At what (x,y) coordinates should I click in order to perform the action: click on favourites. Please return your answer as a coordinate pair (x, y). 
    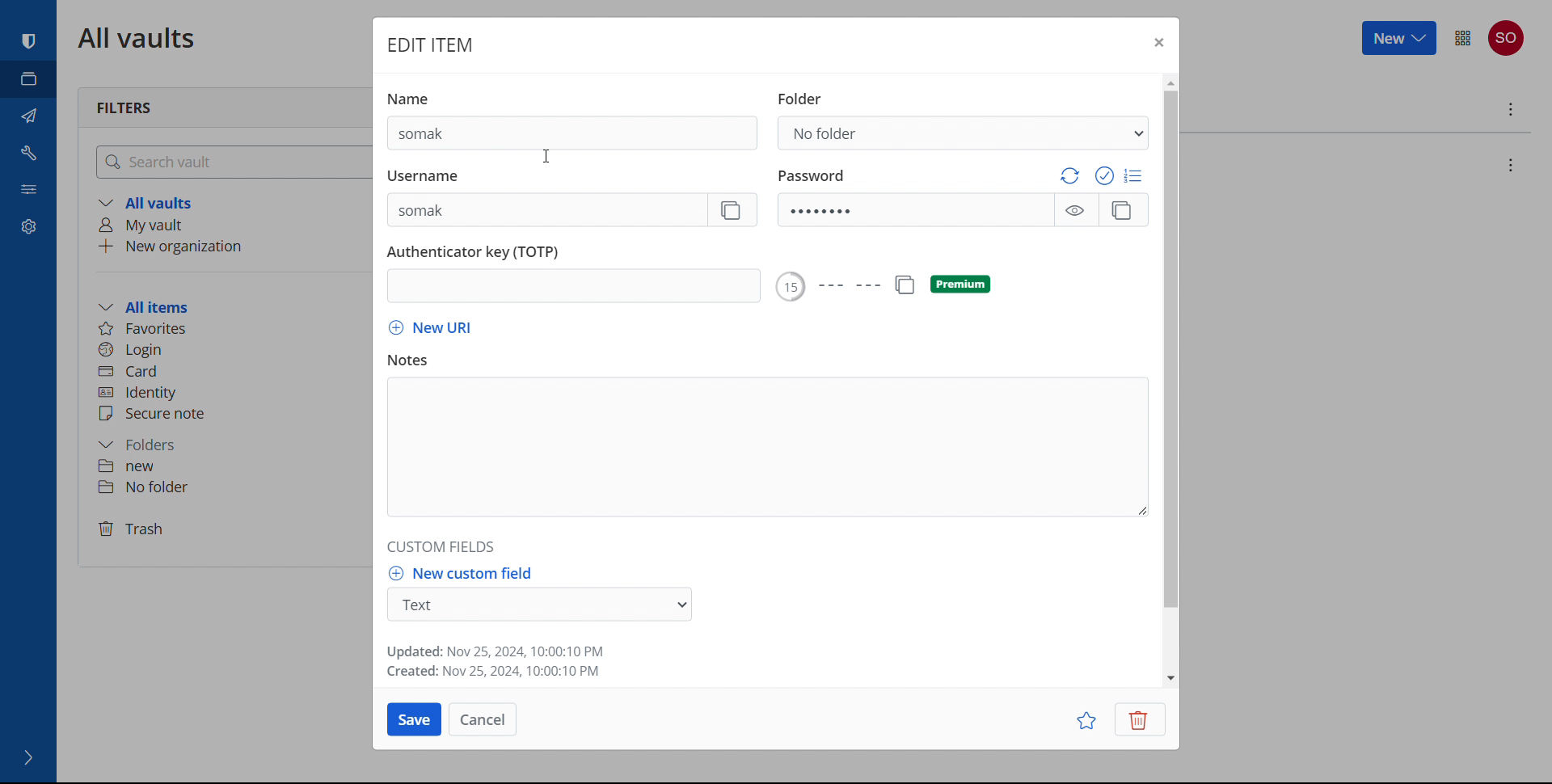
    Looking at the image, I should click on (228, 327).